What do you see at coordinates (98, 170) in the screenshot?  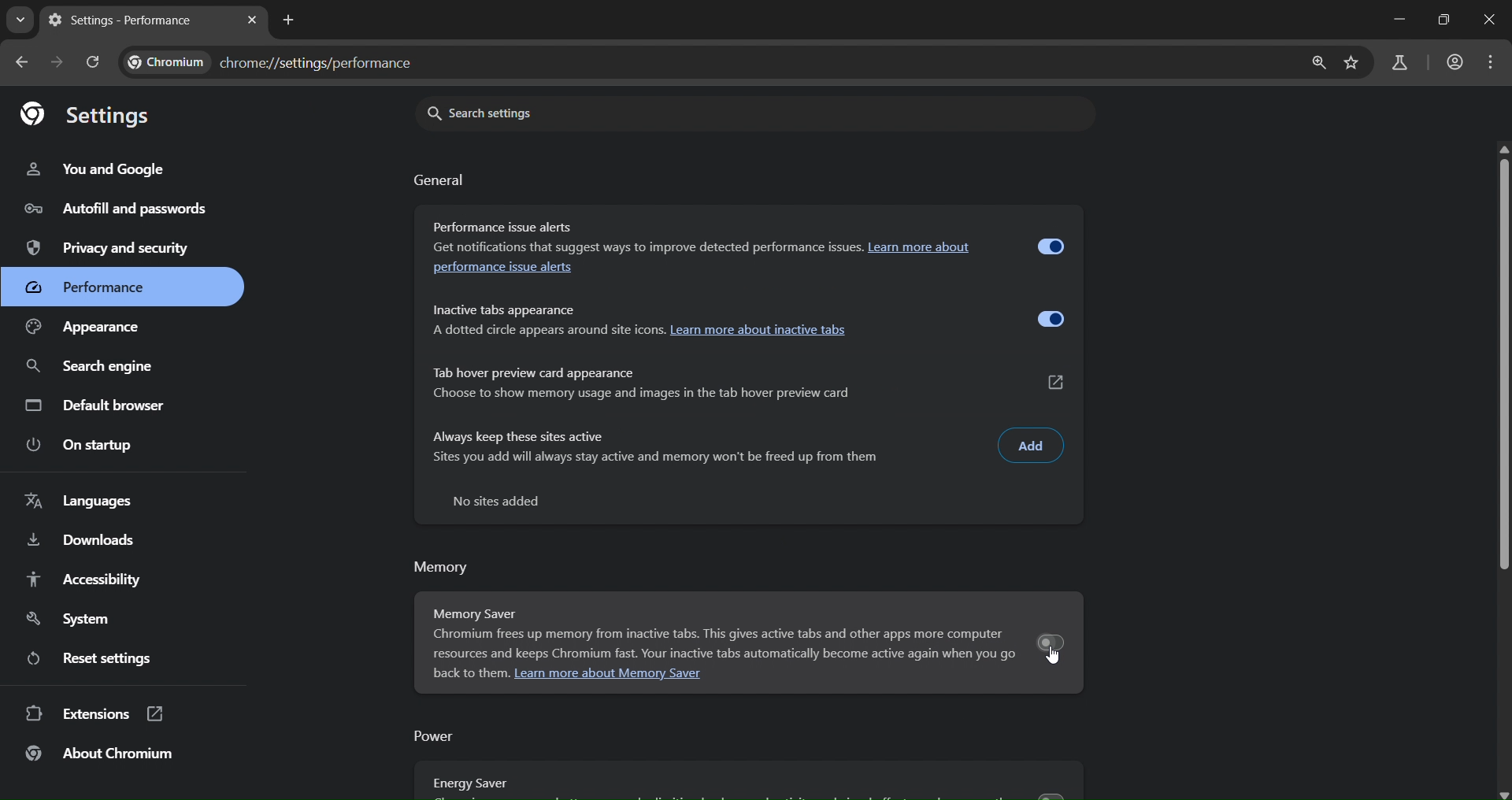 I see `you & ggogle` at bounding box center [98, 170].